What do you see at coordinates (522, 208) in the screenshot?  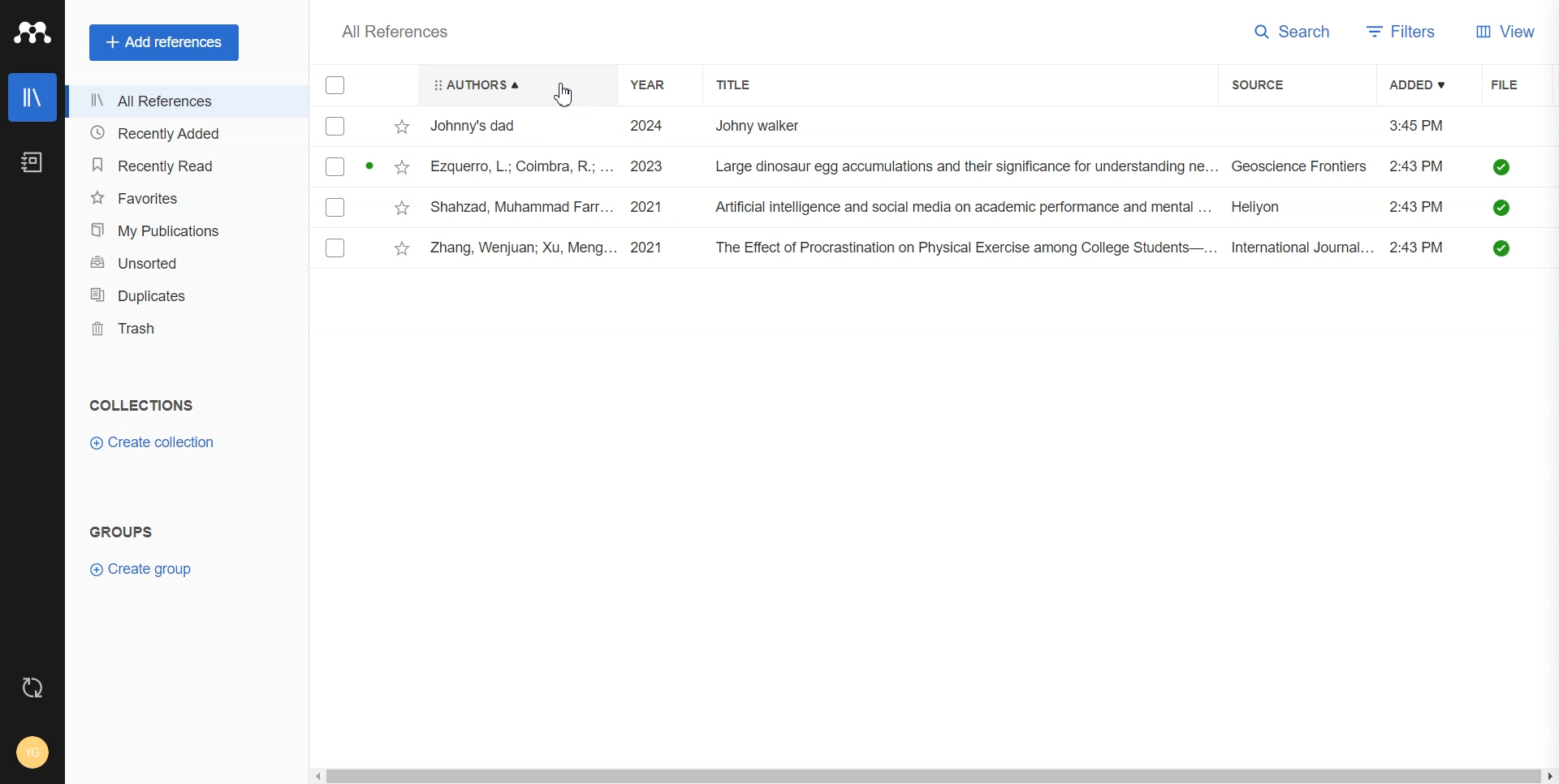 I see `Shahzad, Muhammad` at bounding box center [522, 208].